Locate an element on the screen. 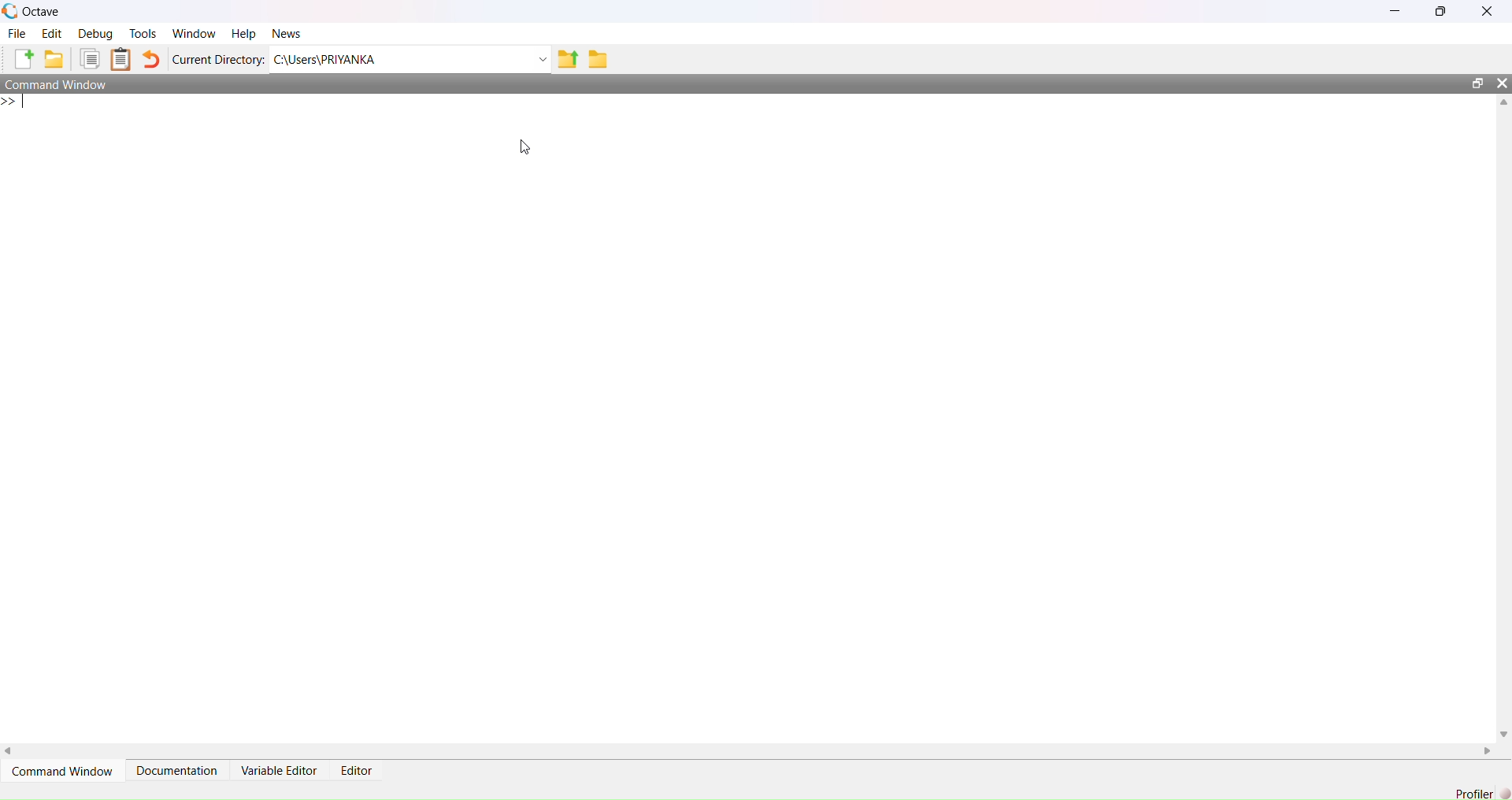 This screenshot has width=1512, height=800. Up is located at coordinates (1502, 103).